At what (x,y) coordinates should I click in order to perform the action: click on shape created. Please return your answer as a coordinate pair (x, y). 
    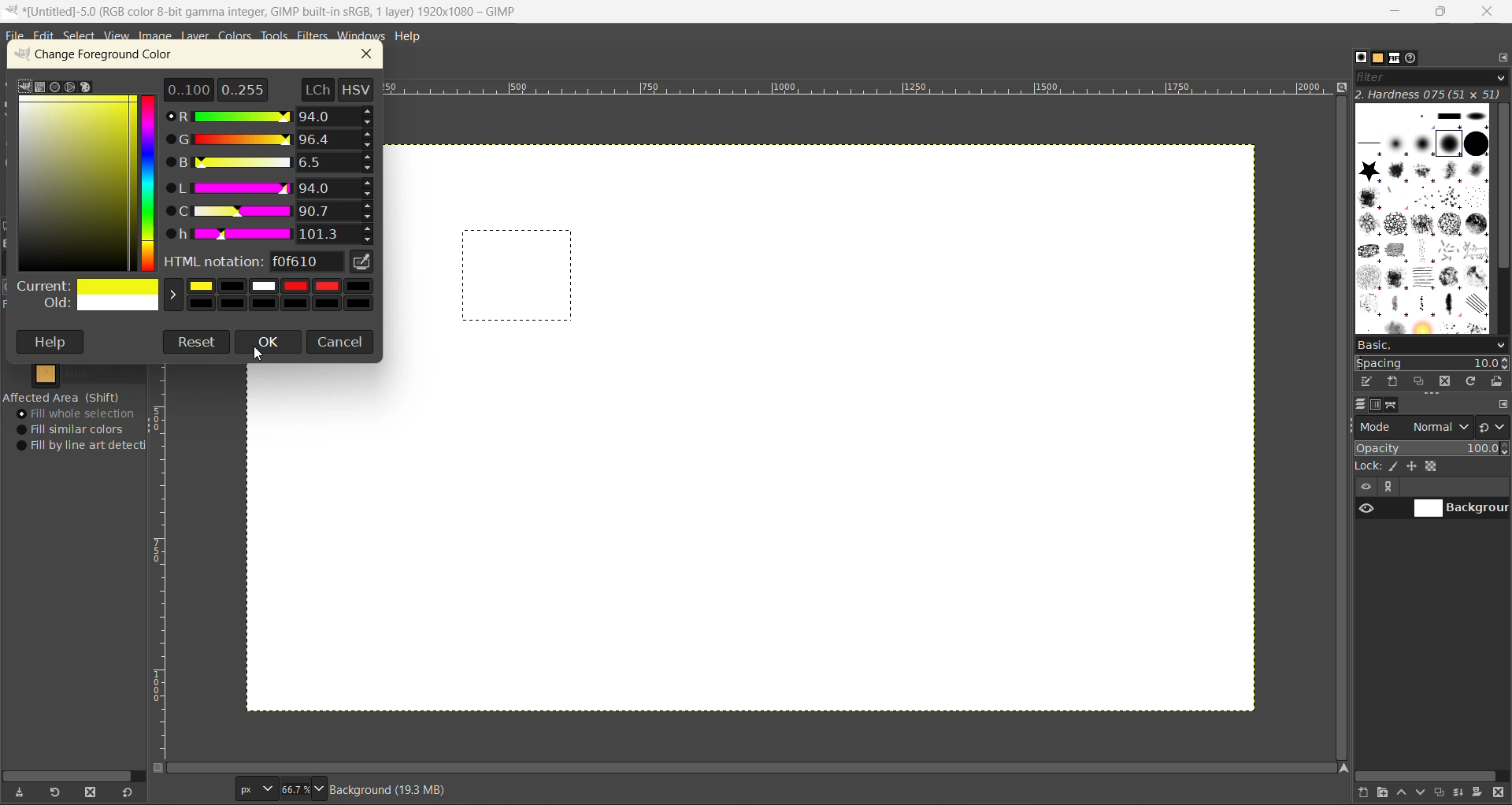
    Looking at the image, I should click on (518, 276).